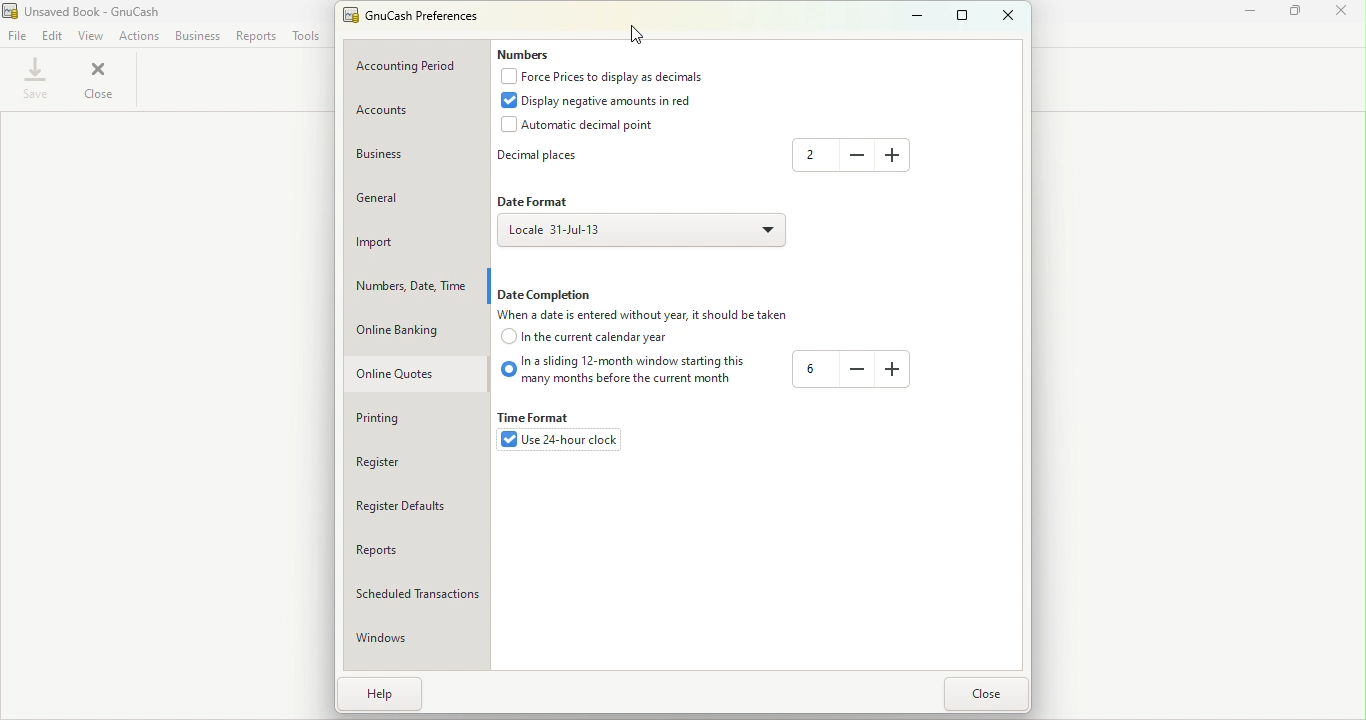 This screenshot has height=720, width=1366. Describe the element at coordinates (595, 98) in the screenshot. I see `Display negative amounts in red` at that location.